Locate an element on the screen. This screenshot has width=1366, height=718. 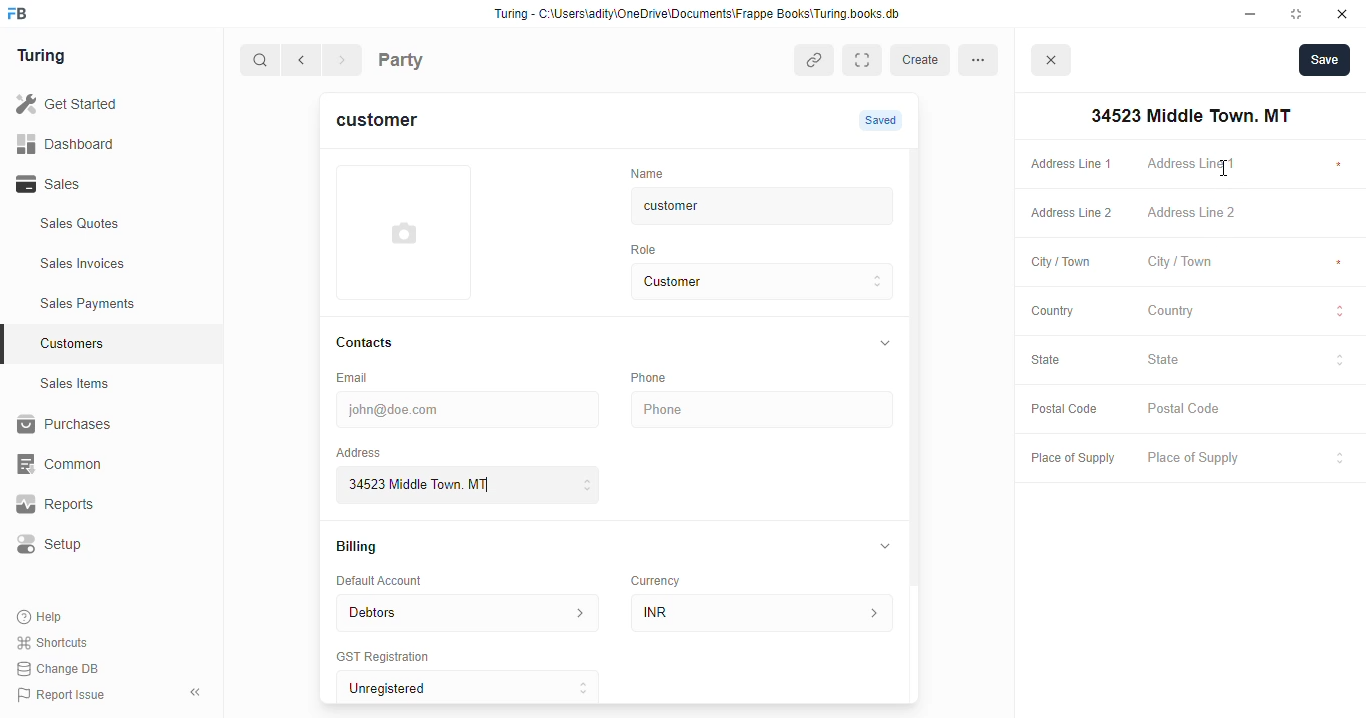
‘GST Registration is located at coordinates (390, 658).